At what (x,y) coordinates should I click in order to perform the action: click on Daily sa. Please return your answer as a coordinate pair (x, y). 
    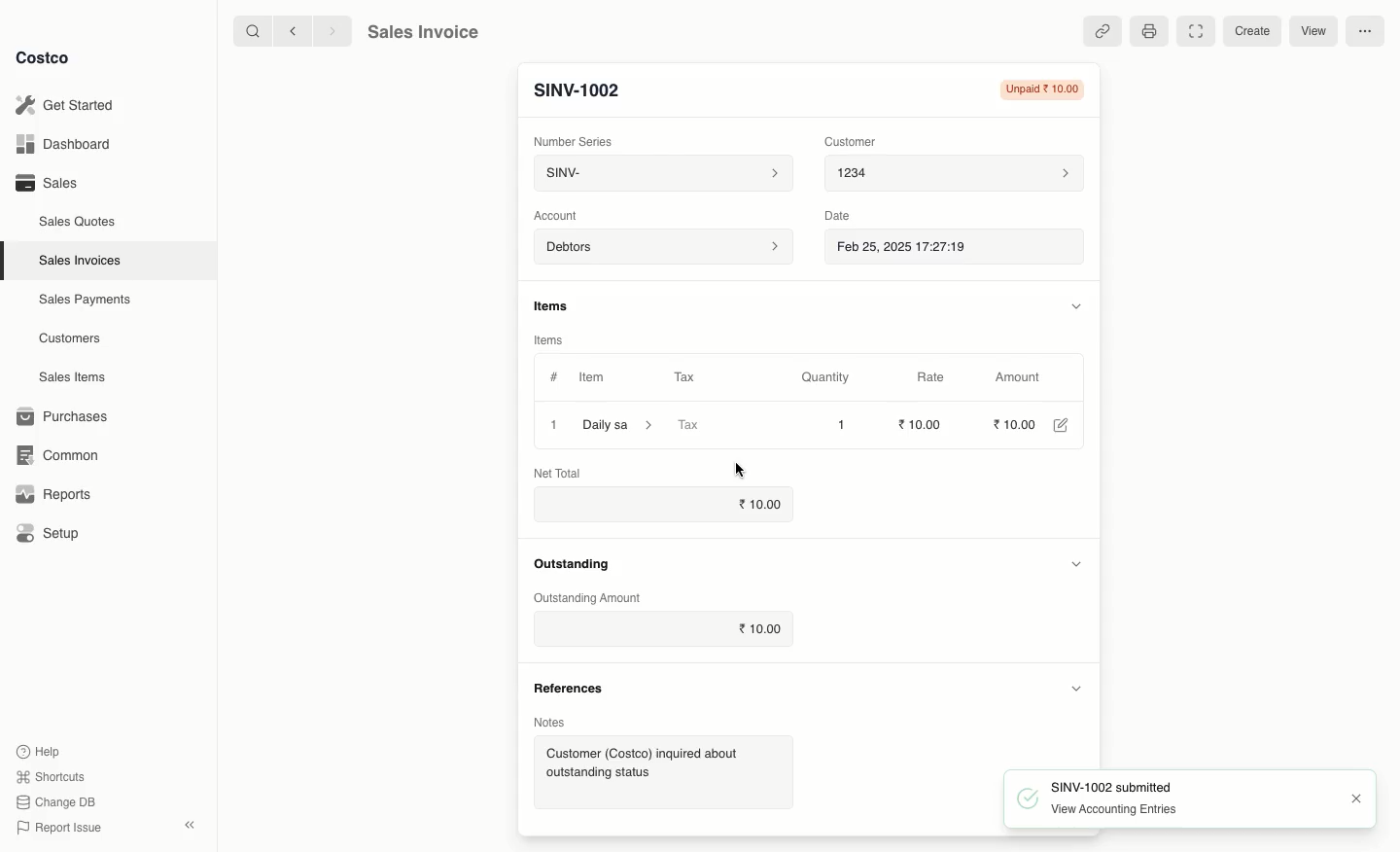
    Looking at the image, I should click on (621, 424).